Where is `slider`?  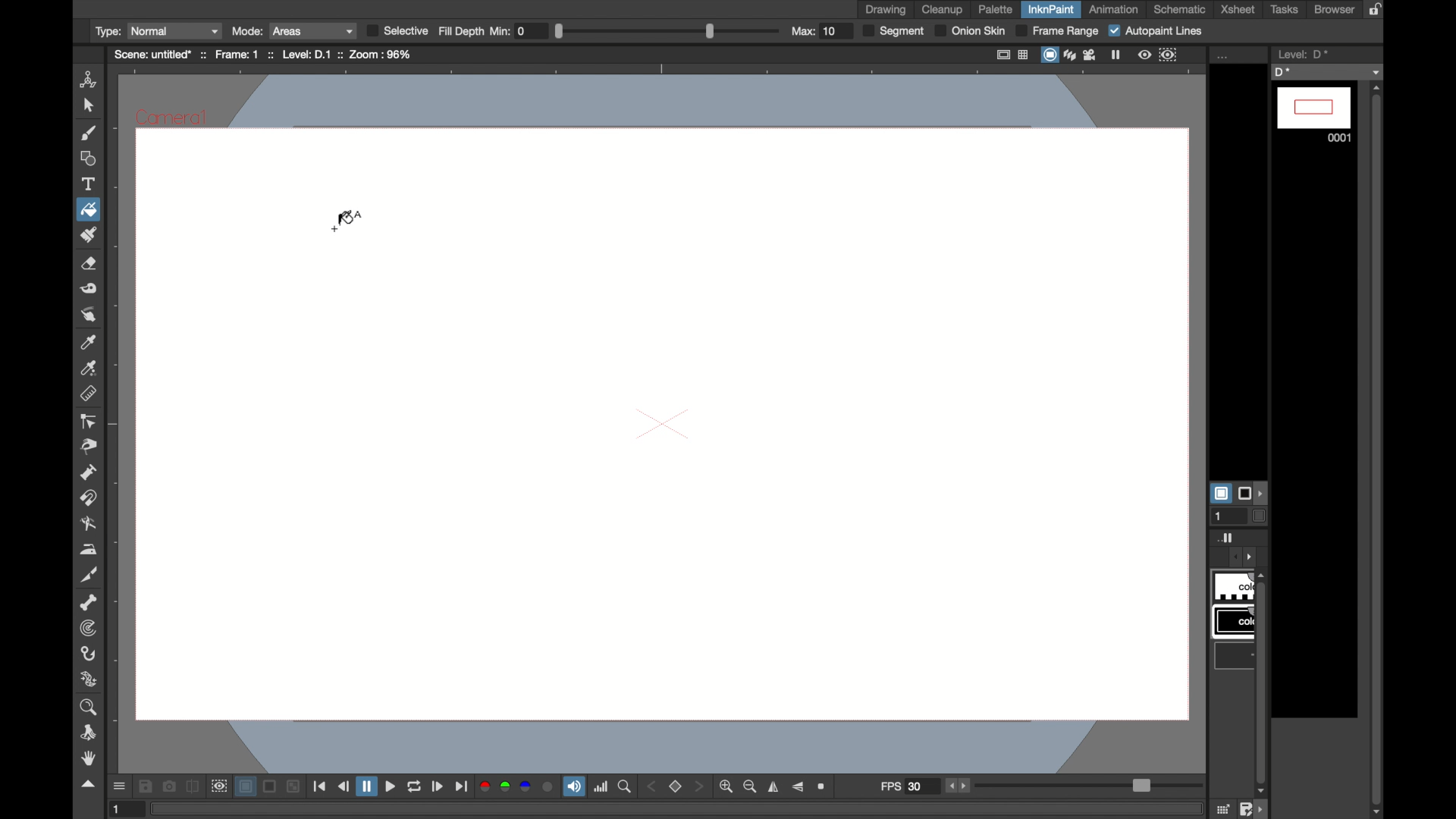
slider is located at coordinates (1088, 786).